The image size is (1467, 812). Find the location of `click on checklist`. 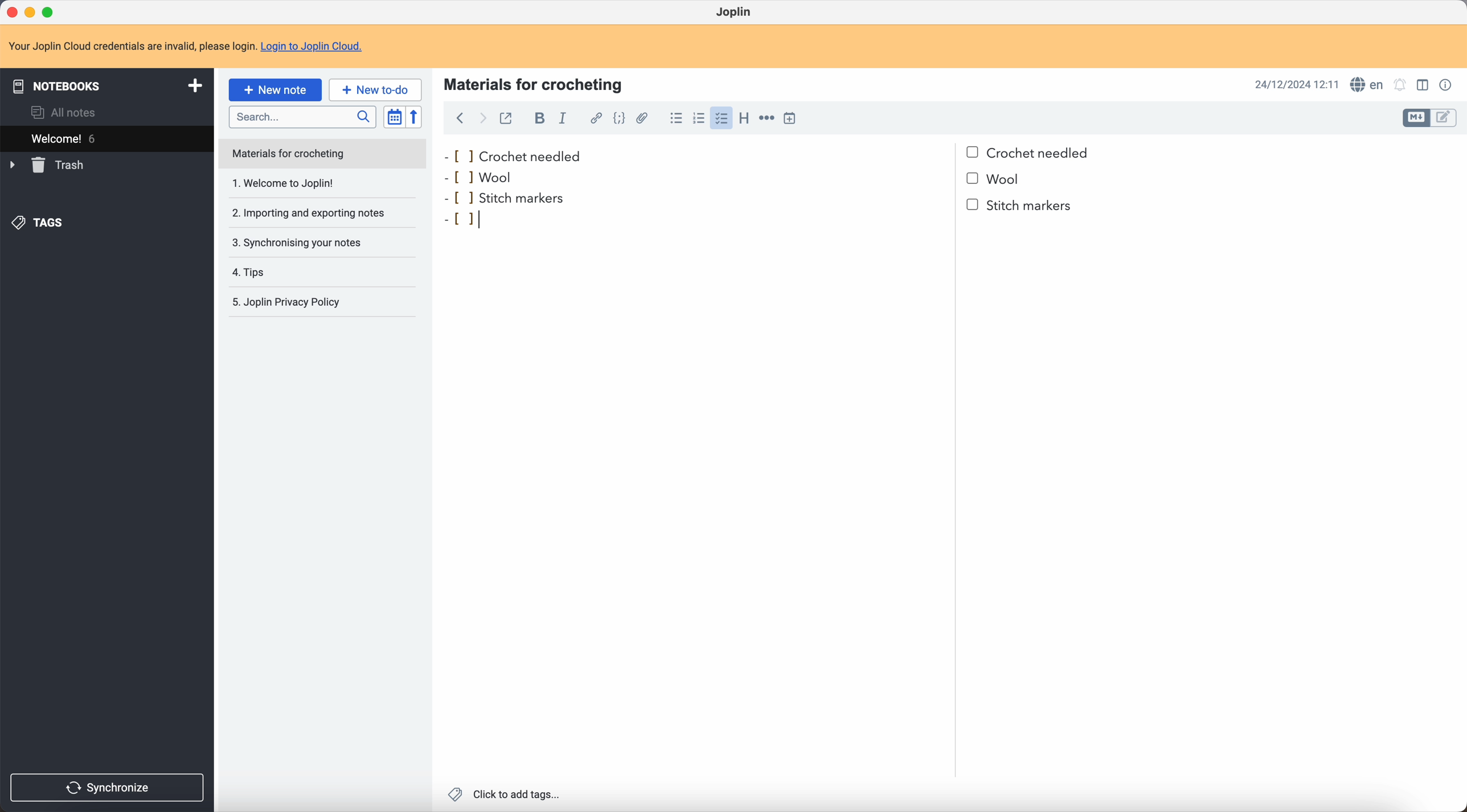

click on checklist is located at coordinates (719, 118).